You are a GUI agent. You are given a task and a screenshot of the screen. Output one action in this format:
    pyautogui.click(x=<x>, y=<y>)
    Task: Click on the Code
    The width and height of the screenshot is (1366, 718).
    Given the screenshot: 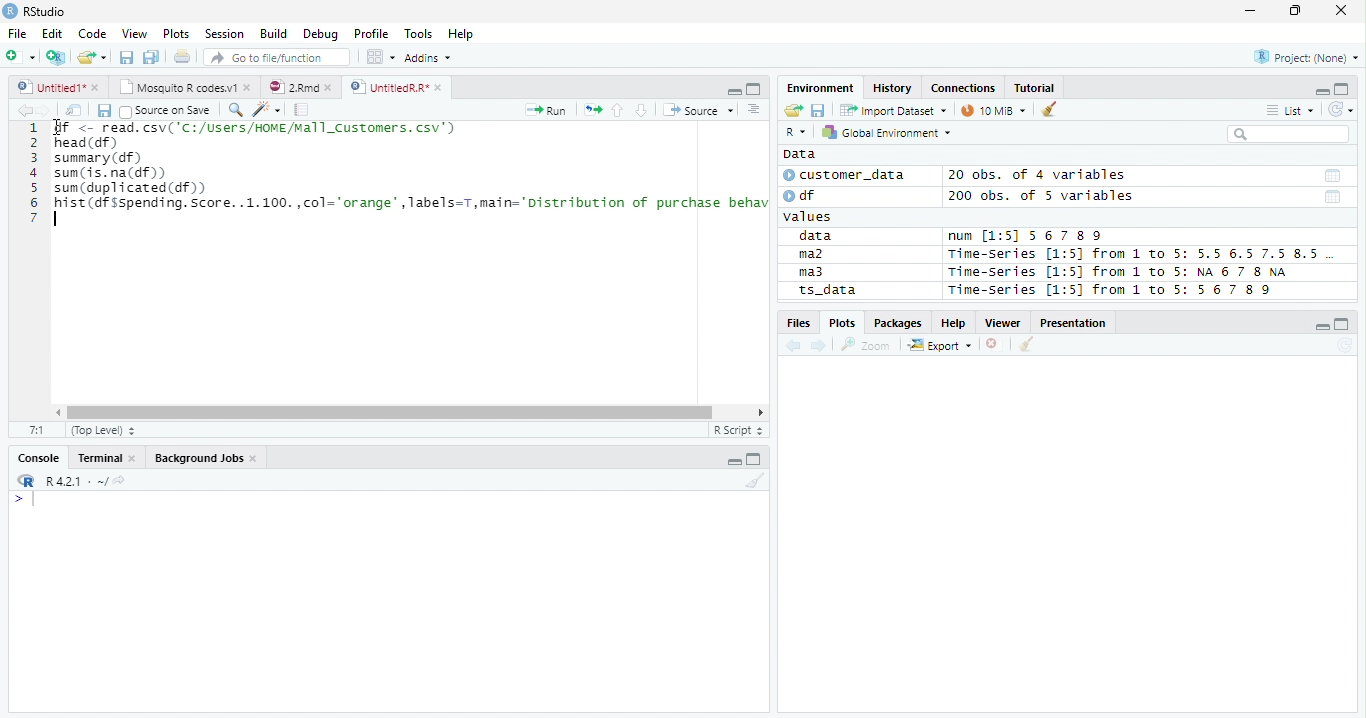 What is the action you would take?
    pyautogui.click(x=94, y=34)
    